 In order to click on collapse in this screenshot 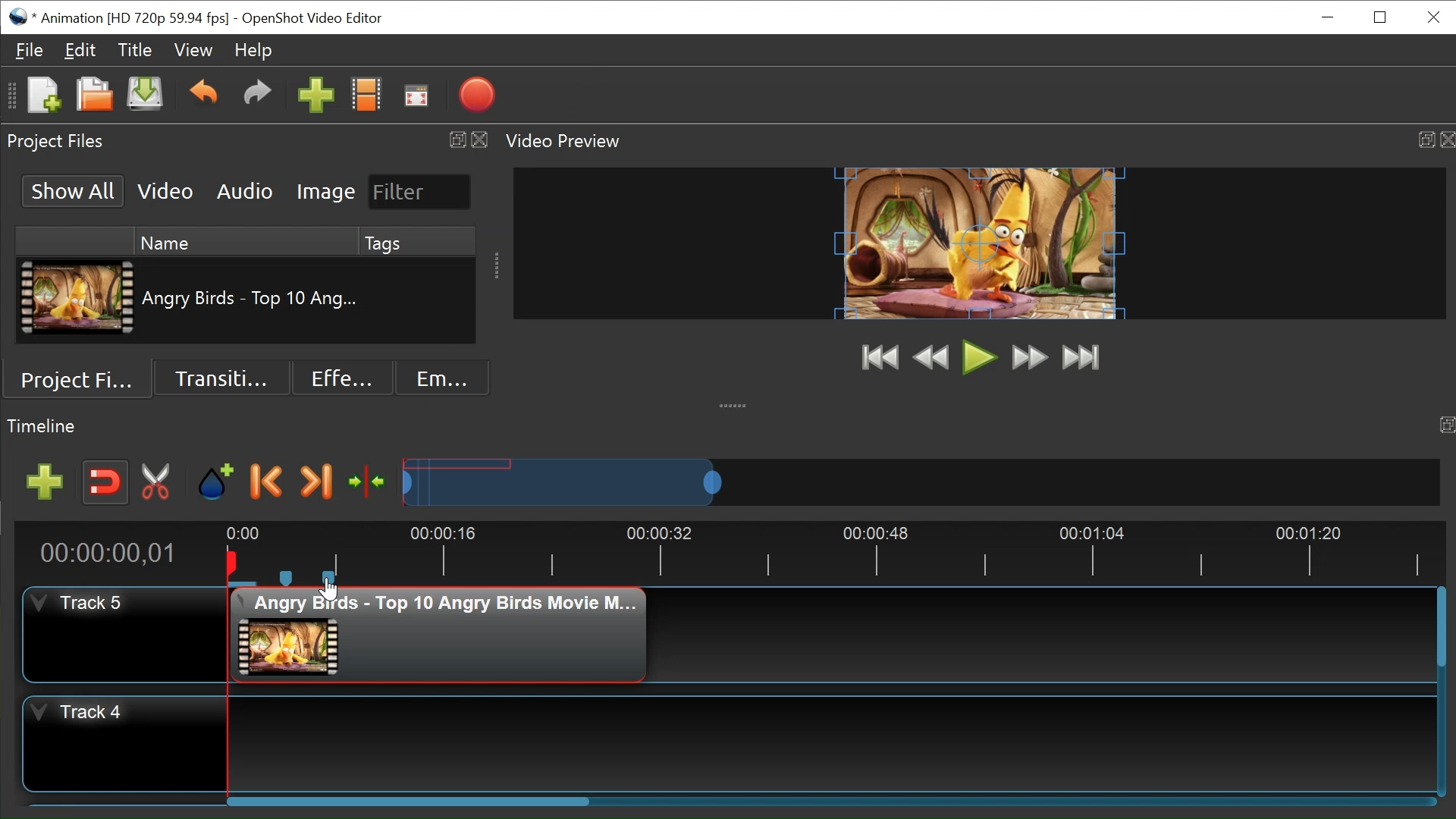, I will do `click(735, 400)`.